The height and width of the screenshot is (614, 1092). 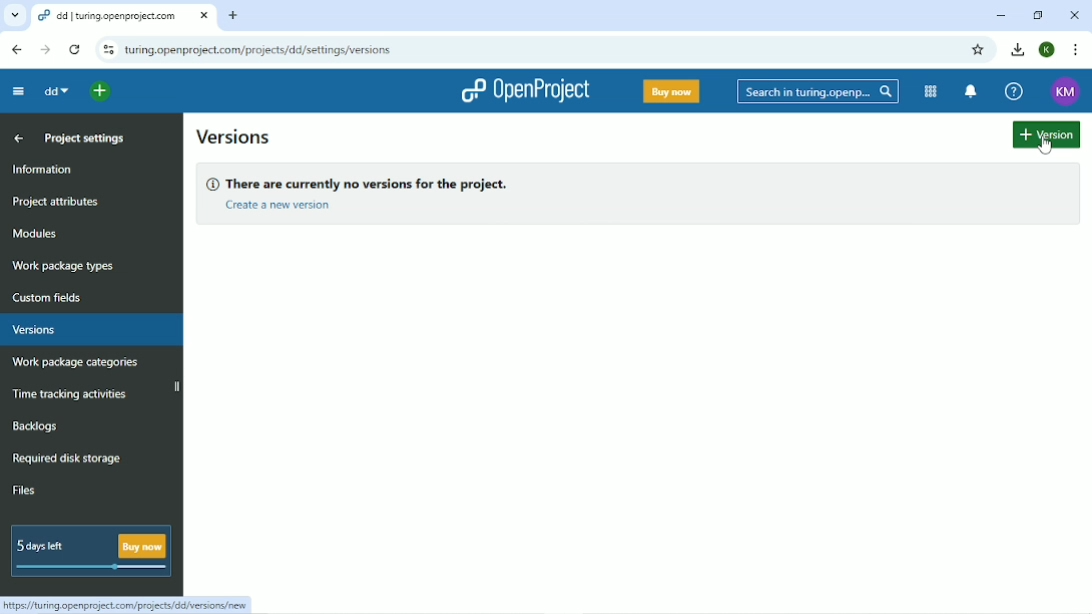 I want to click on Information, so click(x=47, y=169).